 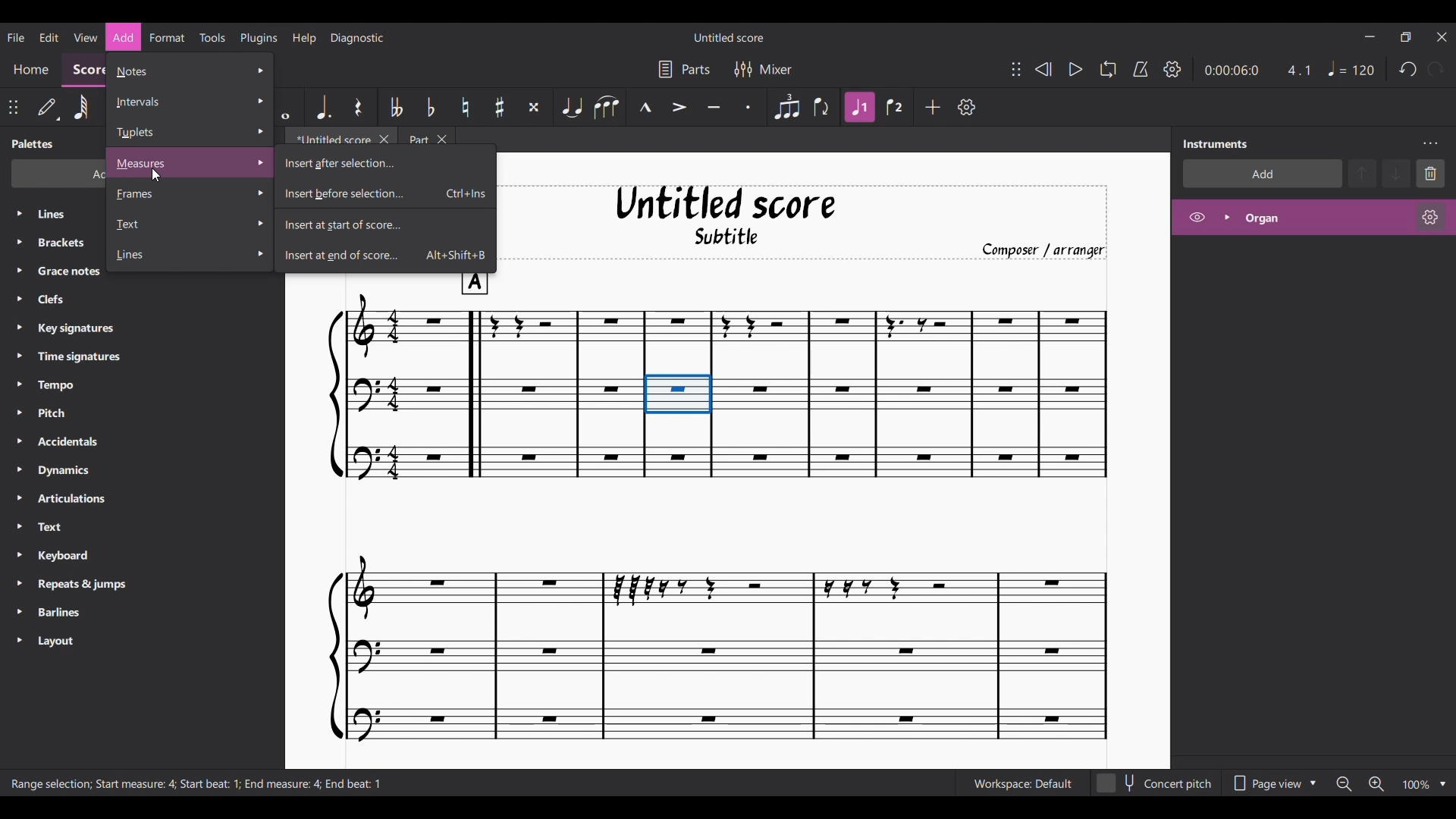 What do you see at coordinates (124, 38) in the screenshot?
I see `Add menu highlighted` at bounding box center [124, 38].